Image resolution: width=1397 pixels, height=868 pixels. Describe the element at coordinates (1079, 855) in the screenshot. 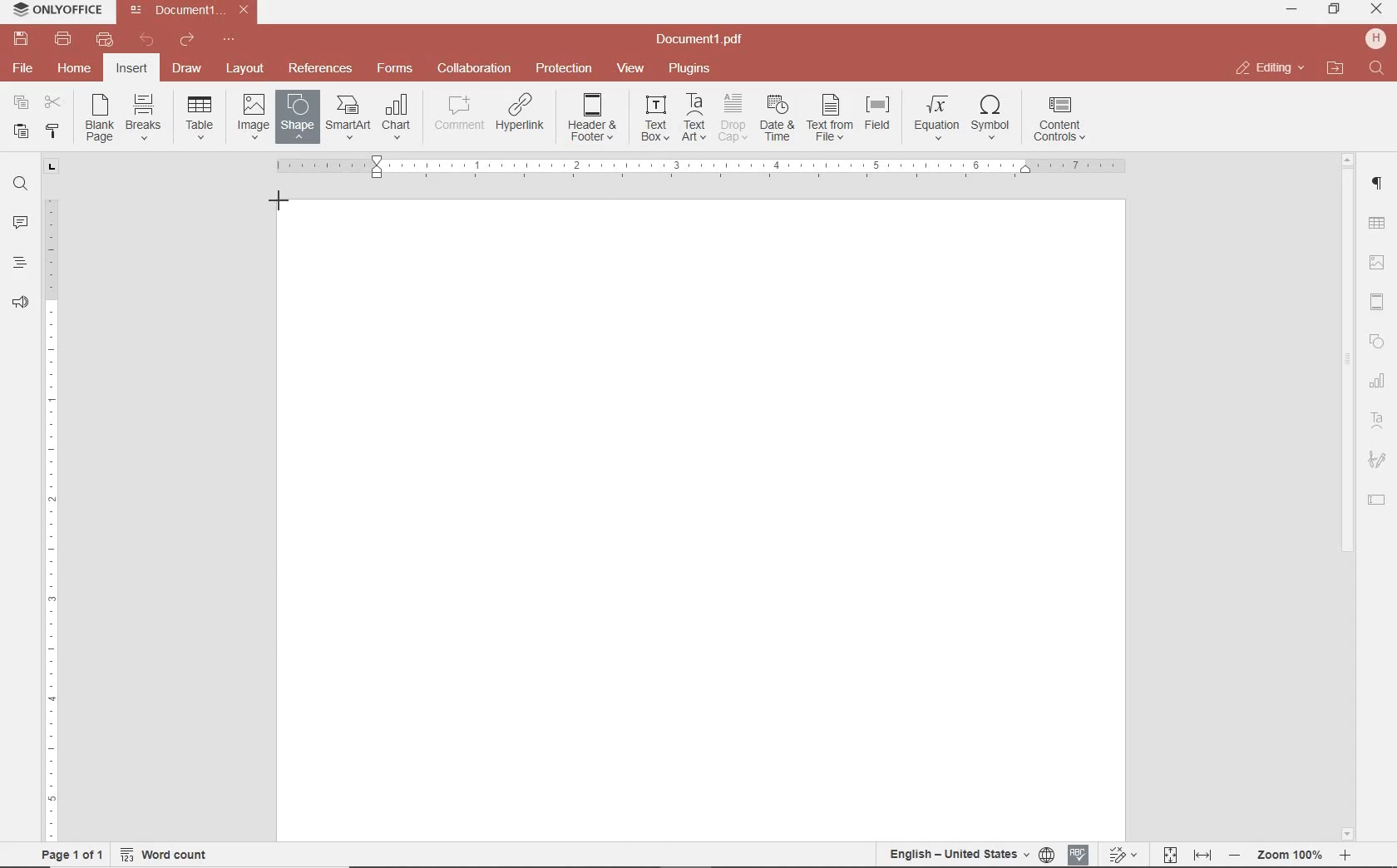

I see `spell checking` at that location.